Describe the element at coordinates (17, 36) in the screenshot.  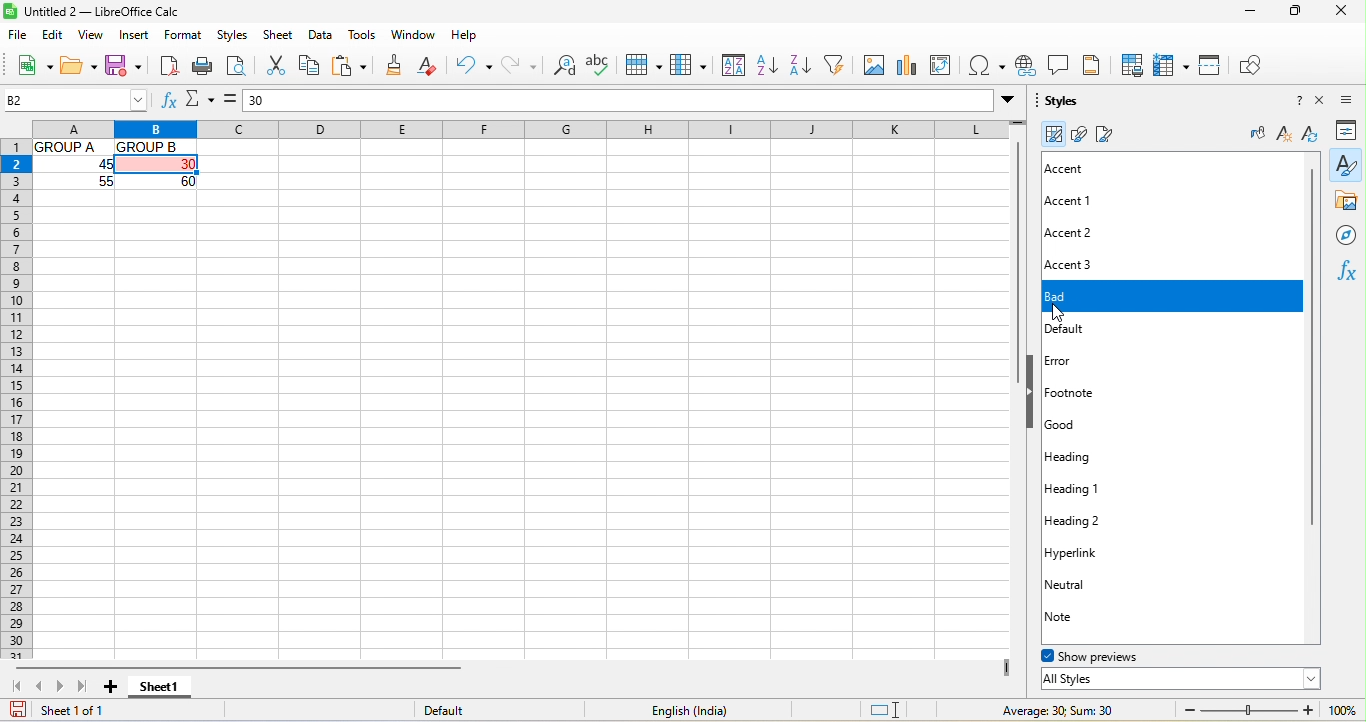
I see `file` at that location.